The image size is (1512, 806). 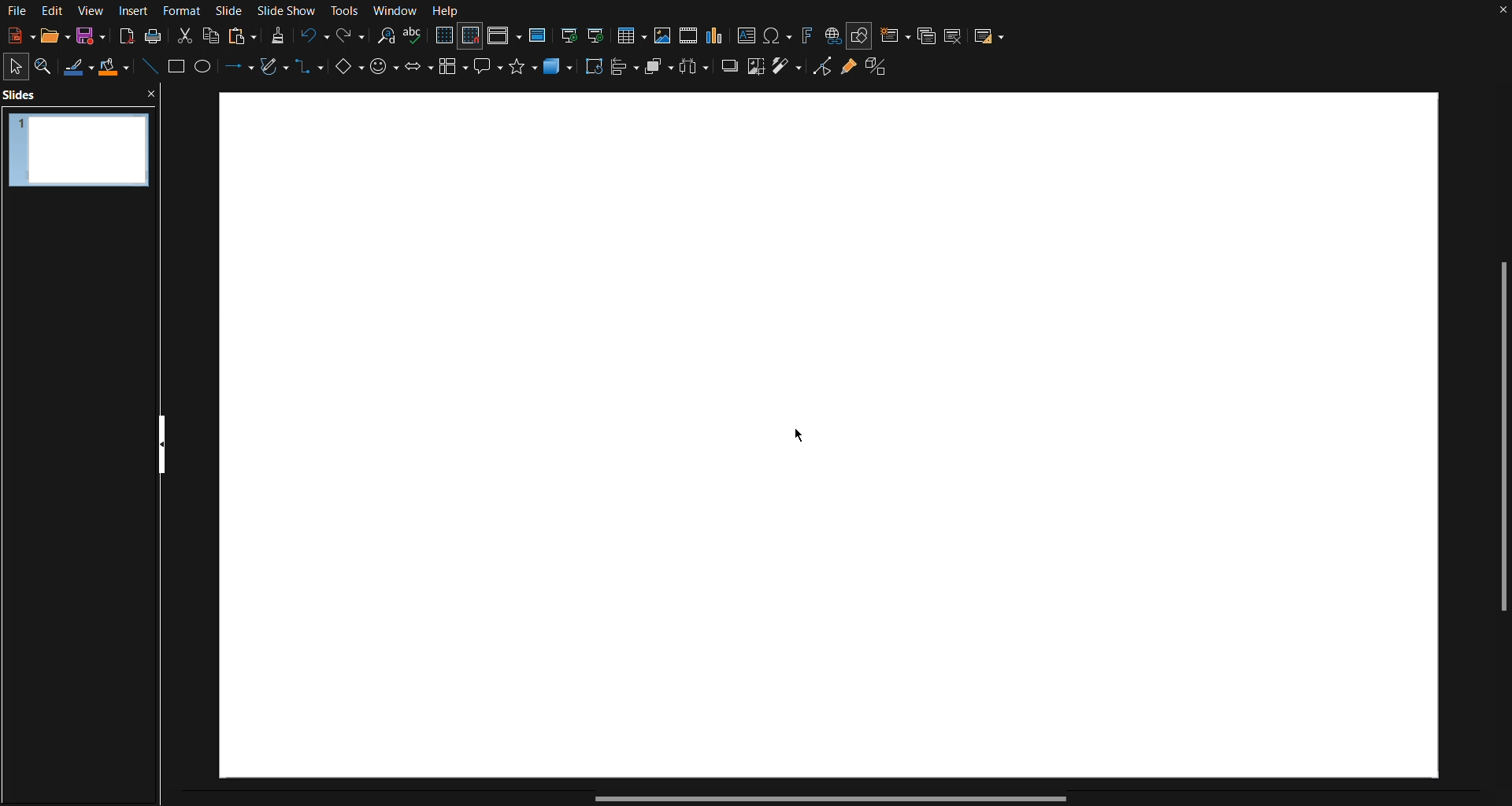 I want to click on Insert media, so click(x=688, y=35).